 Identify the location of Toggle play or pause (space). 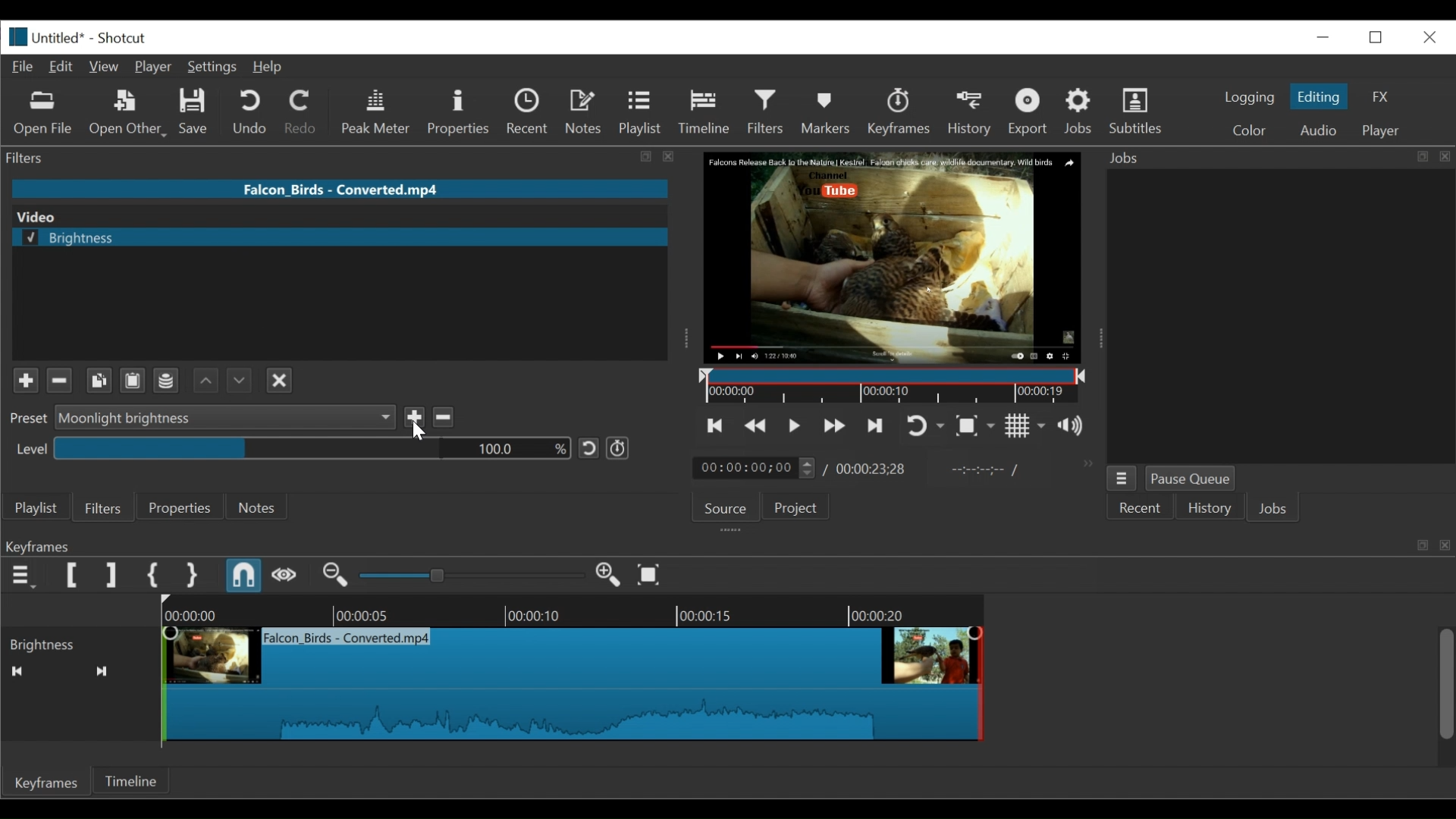
(794, 425).